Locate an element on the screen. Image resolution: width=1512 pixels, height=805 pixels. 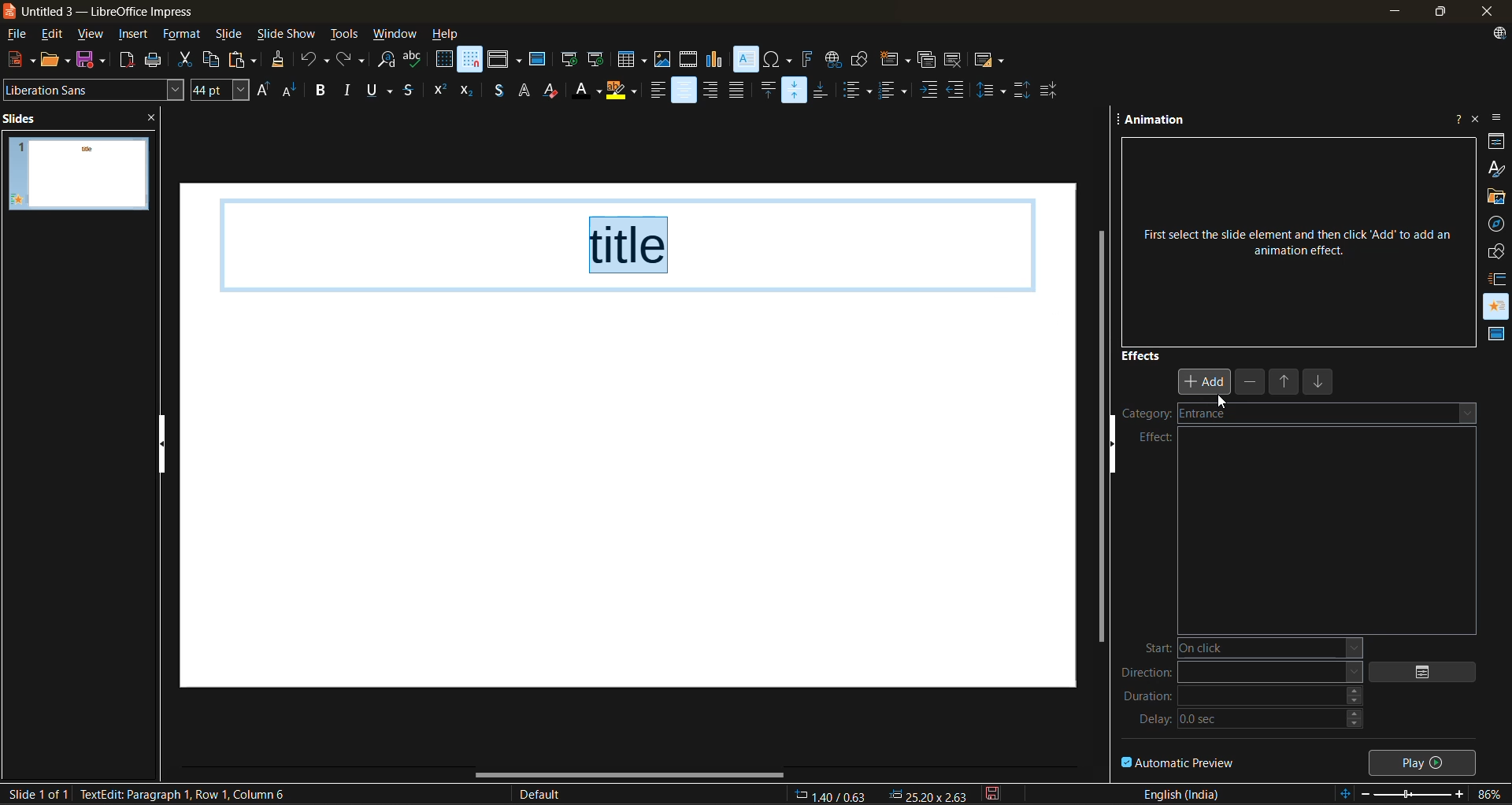
effects is located at coordinates (1142, 354).